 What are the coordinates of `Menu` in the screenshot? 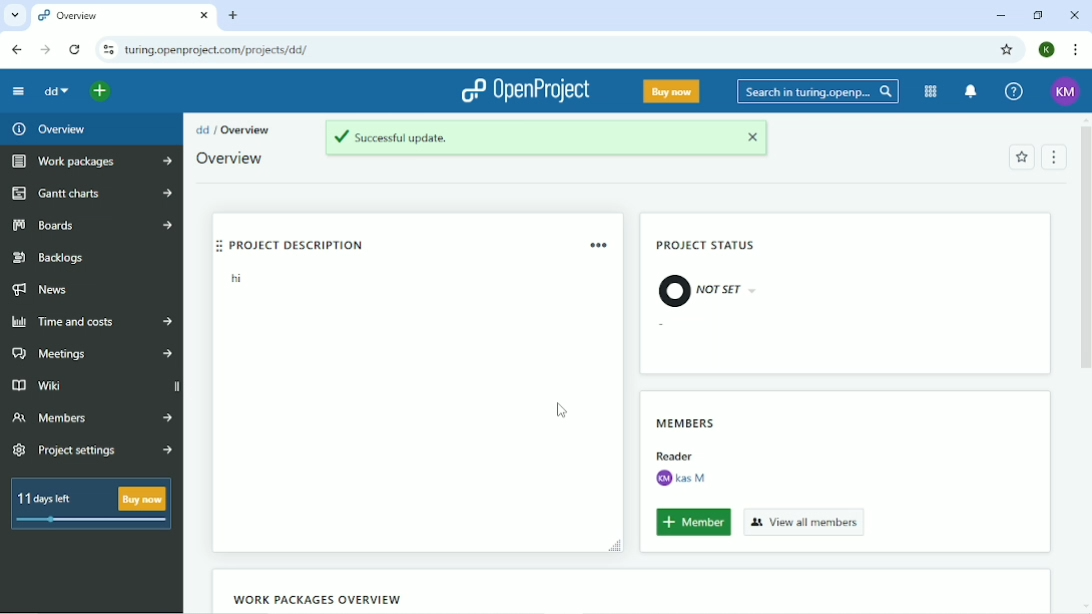 It's located at (1055, 156).